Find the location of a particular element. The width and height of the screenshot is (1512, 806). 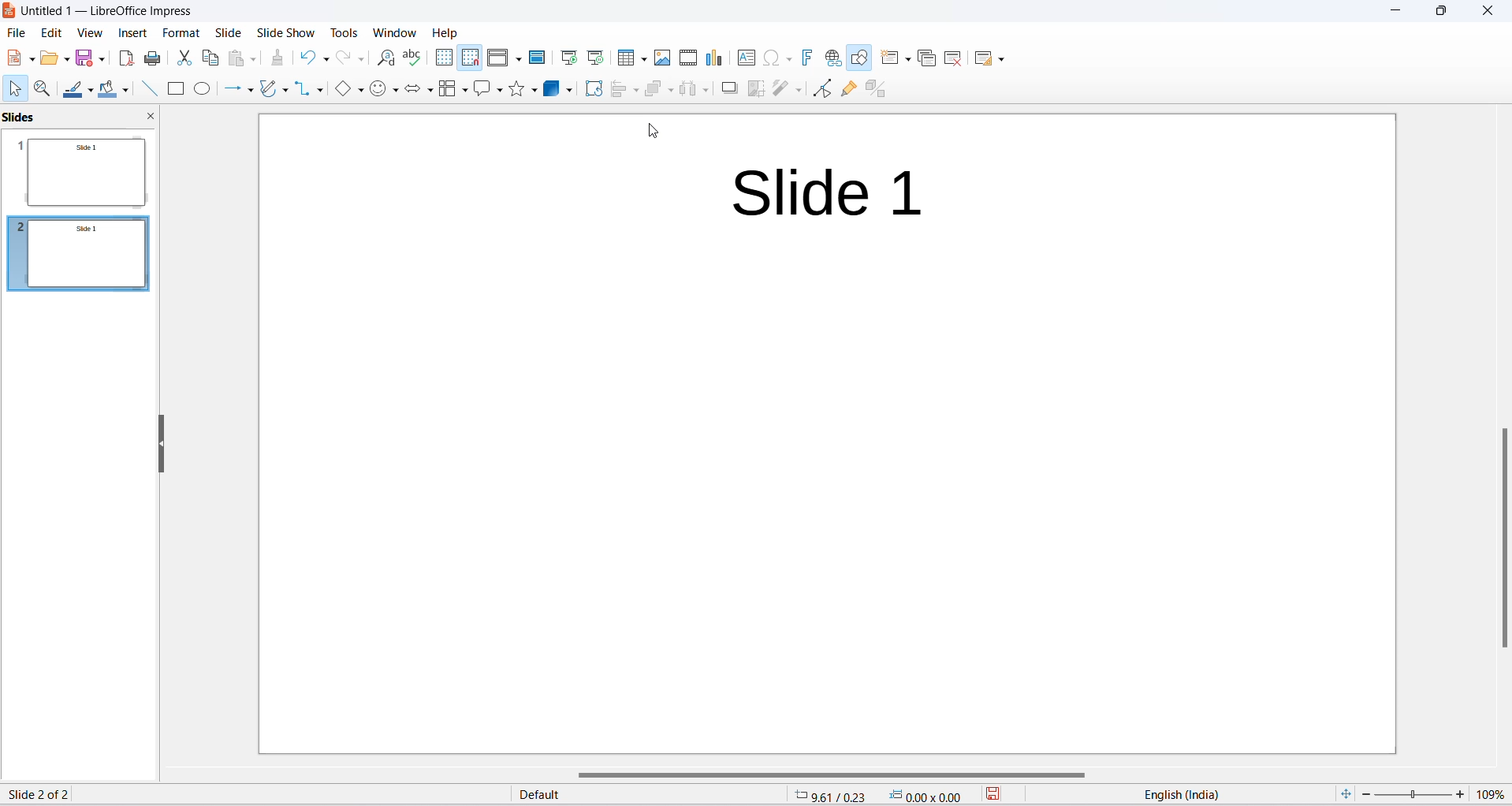

save is located at coordinates (995, 794).